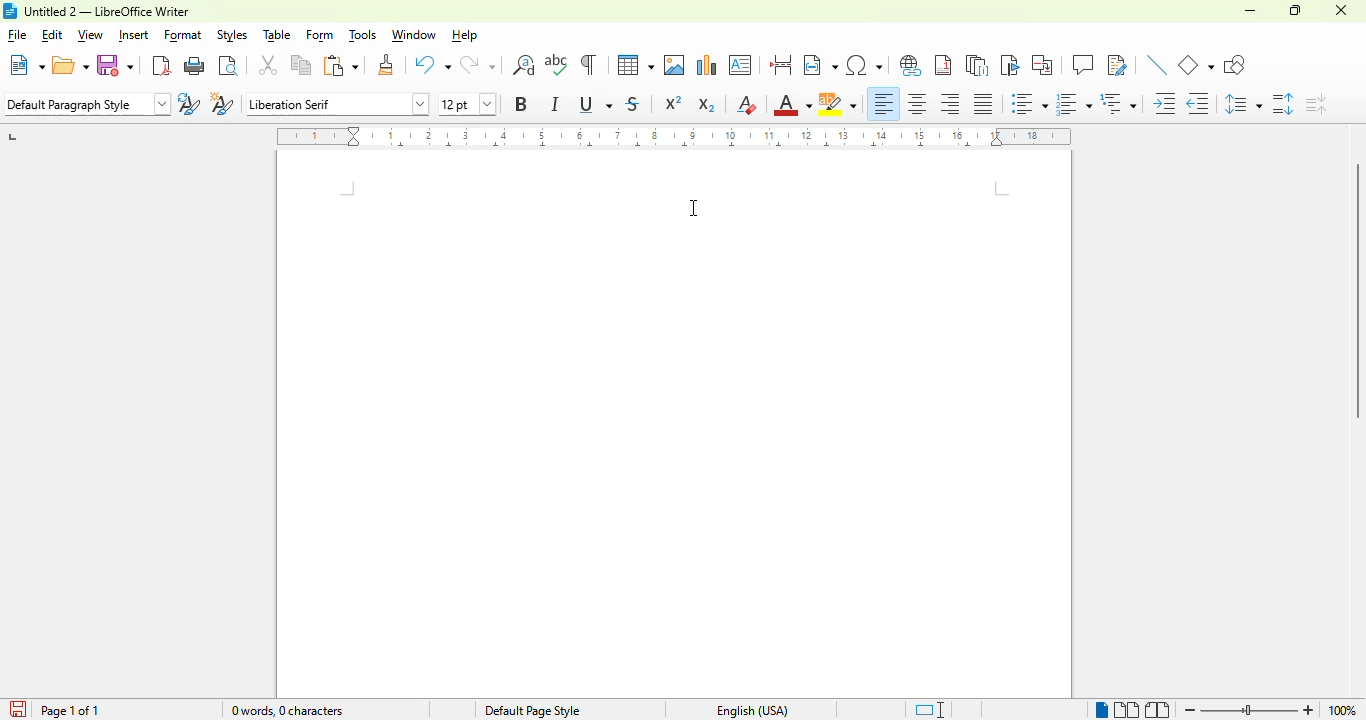 This screenshot has width=1366, height=720. I want to click on toggle print preview, so click(230, 66).